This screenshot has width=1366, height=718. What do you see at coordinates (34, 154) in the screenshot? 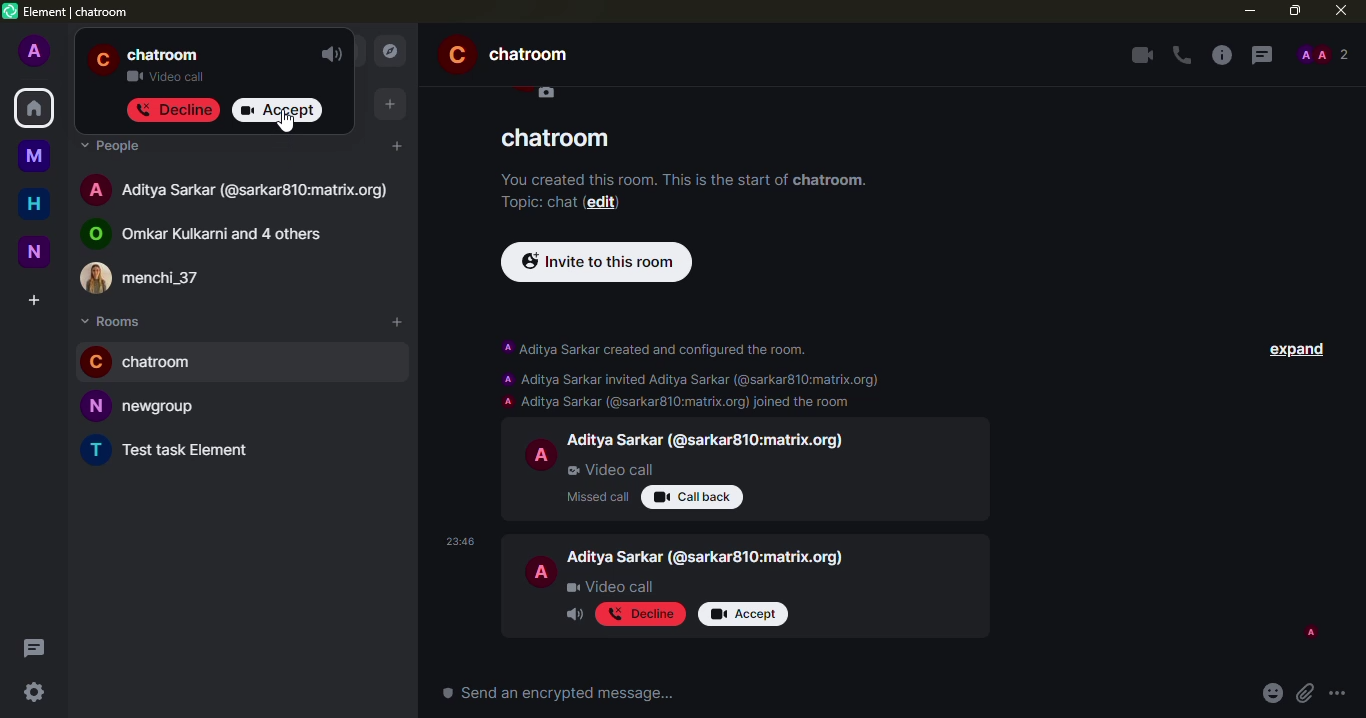
I see `myspace` at bounding box center [34, 154].